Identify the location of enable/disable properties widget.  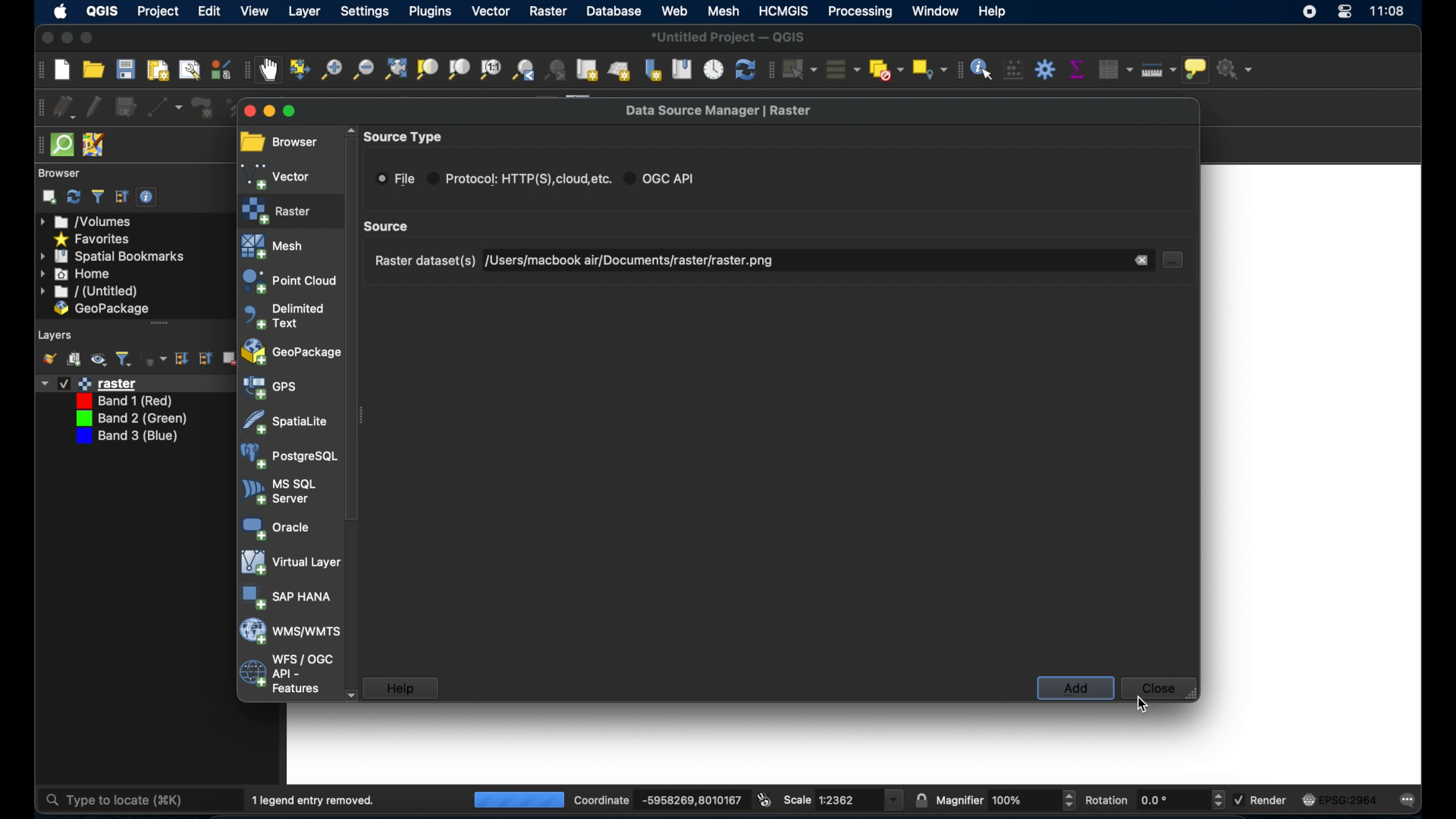
(149, 197).